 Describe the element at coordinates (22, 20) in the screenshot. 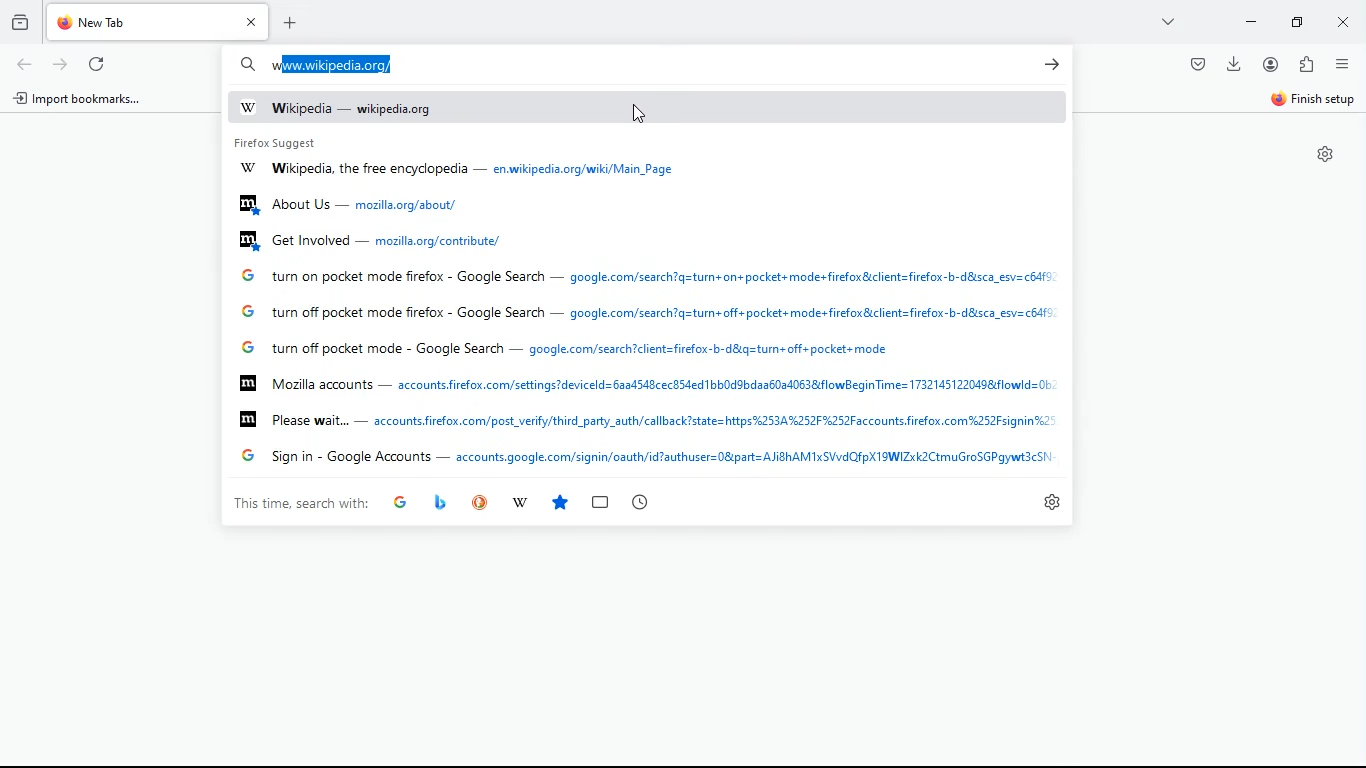

I see `hystoric` at that location.